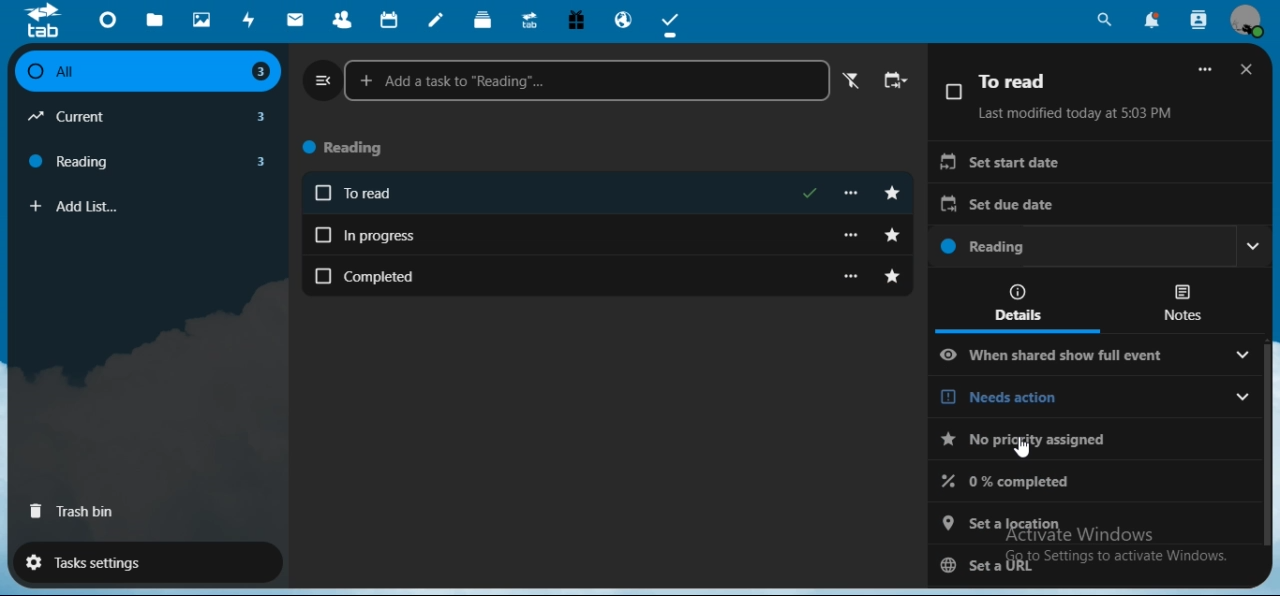 The width and height of the screenshot is (1280, 596). Describe the element at coordinates (1086, 563) in the screenshot. I see `Set a URL` at that location.